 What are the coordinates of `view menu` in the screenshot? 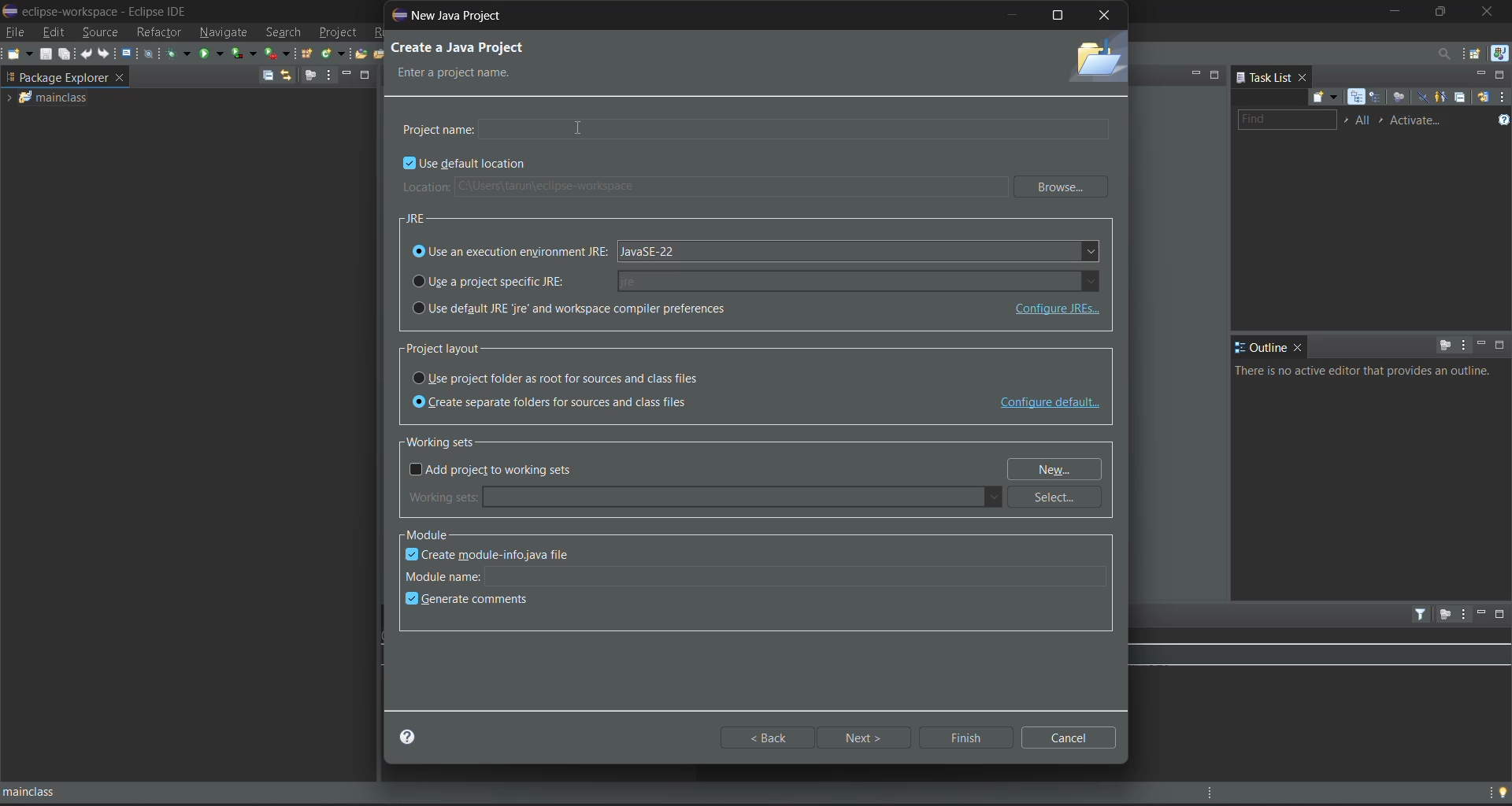 It's located at (1503, 98).